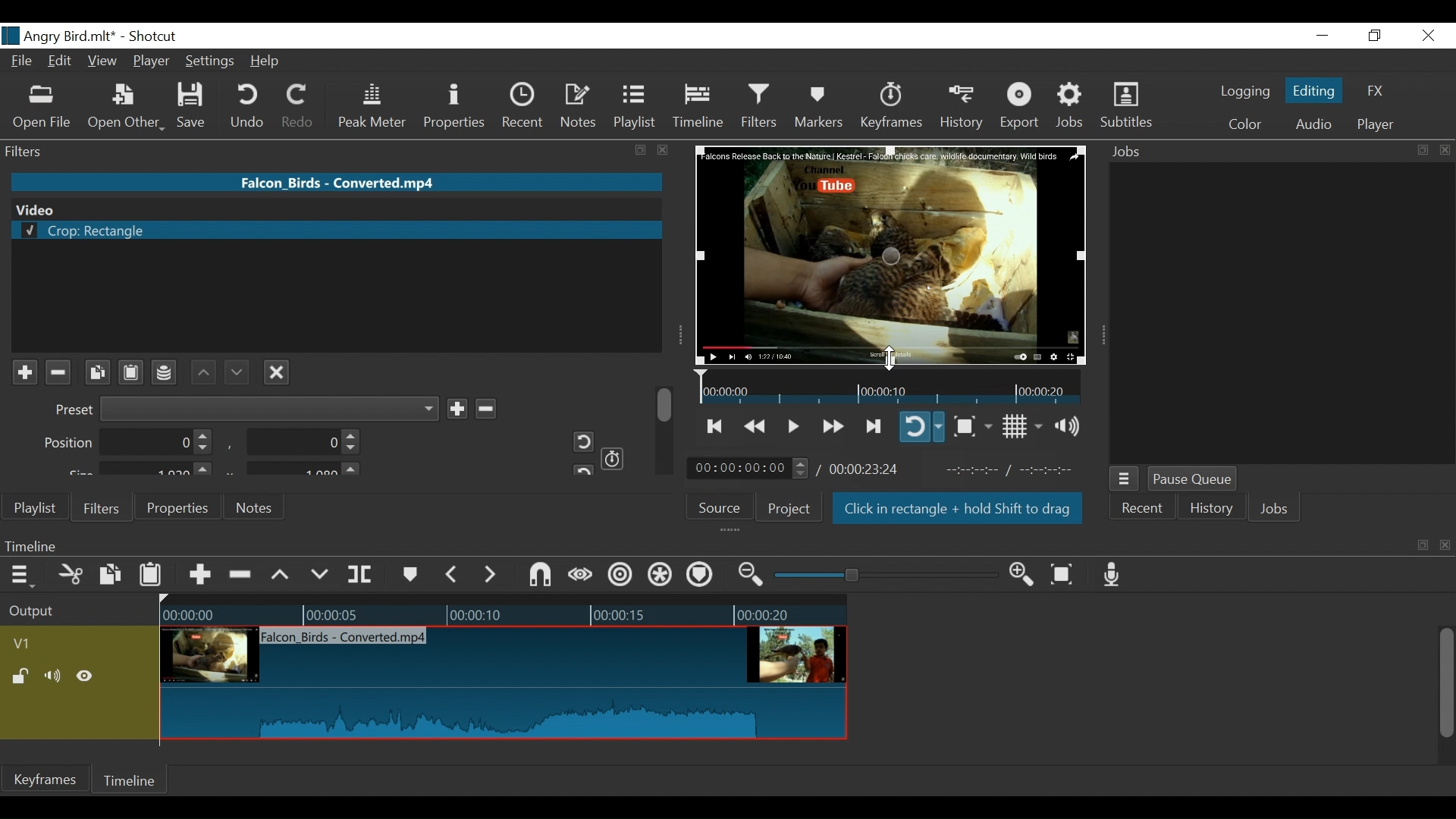 The height and width of the screenshot is (819, 1456). Describe the element at coordinates (339, 181) in the screenshot. I see `File Name` at that location.